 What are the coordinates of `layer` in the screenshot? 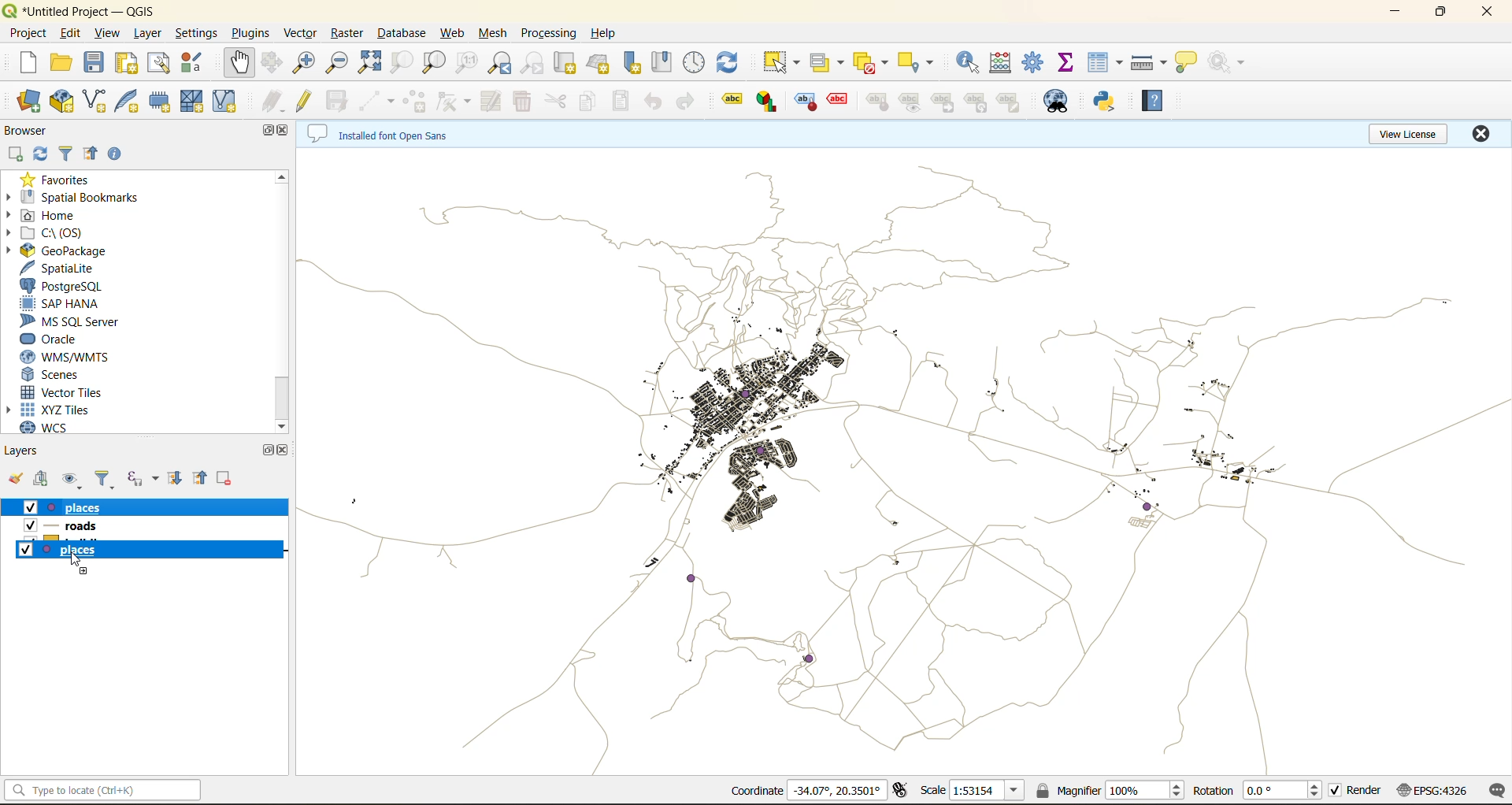 It's located at (150, 33).